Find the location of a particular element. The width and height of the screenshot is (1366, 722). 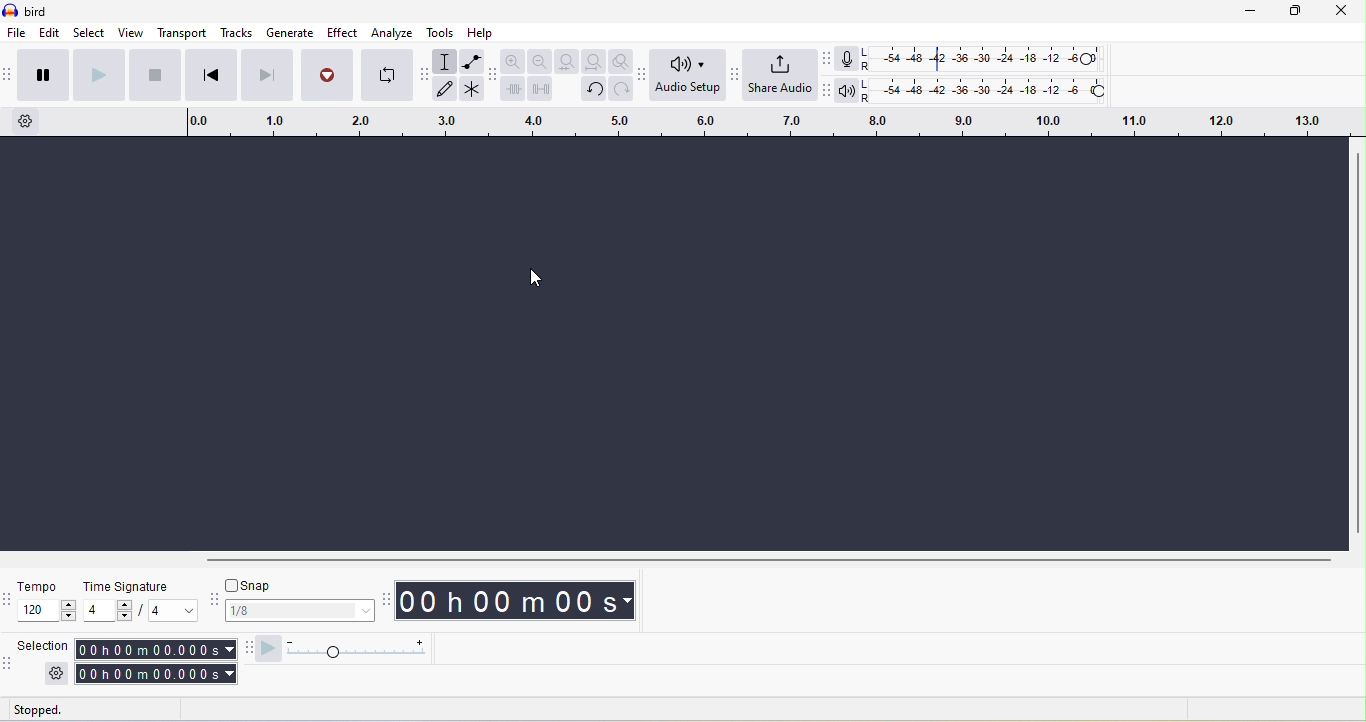

tempo is located at coordinates (47, 586).